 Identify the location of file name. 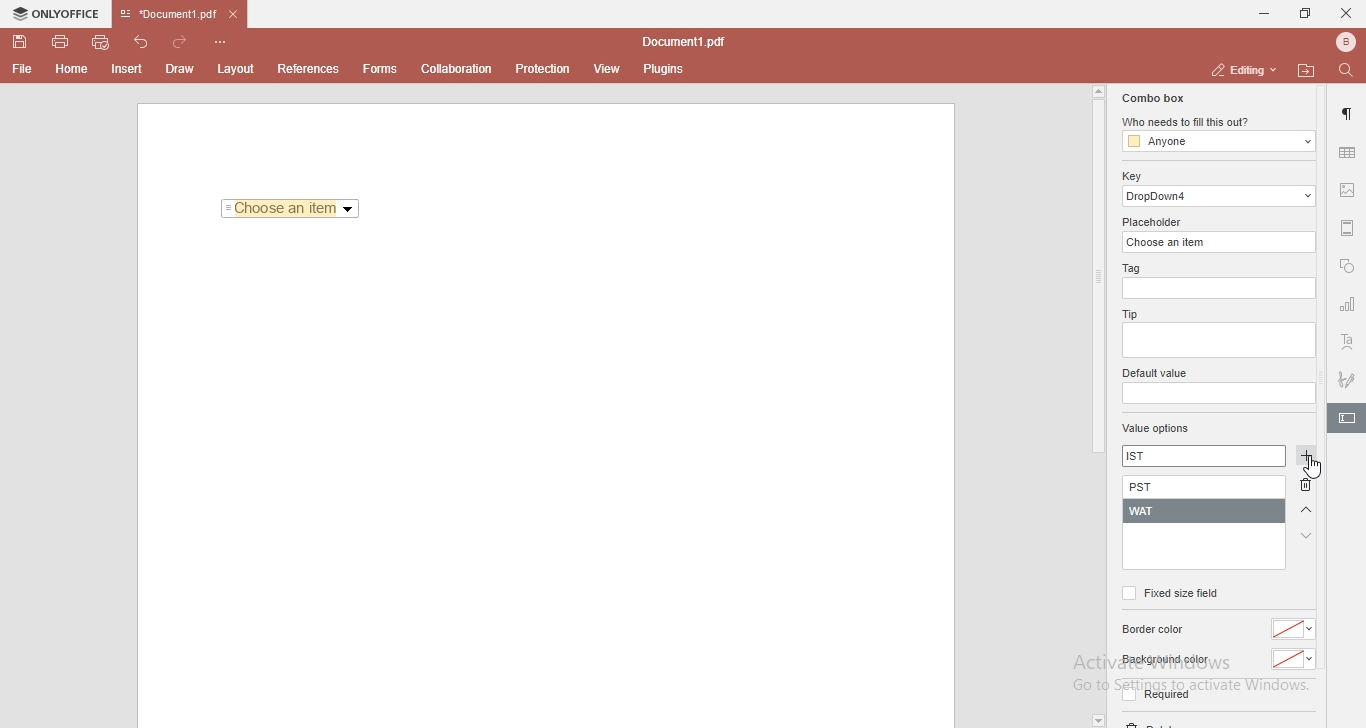
(688, 43).